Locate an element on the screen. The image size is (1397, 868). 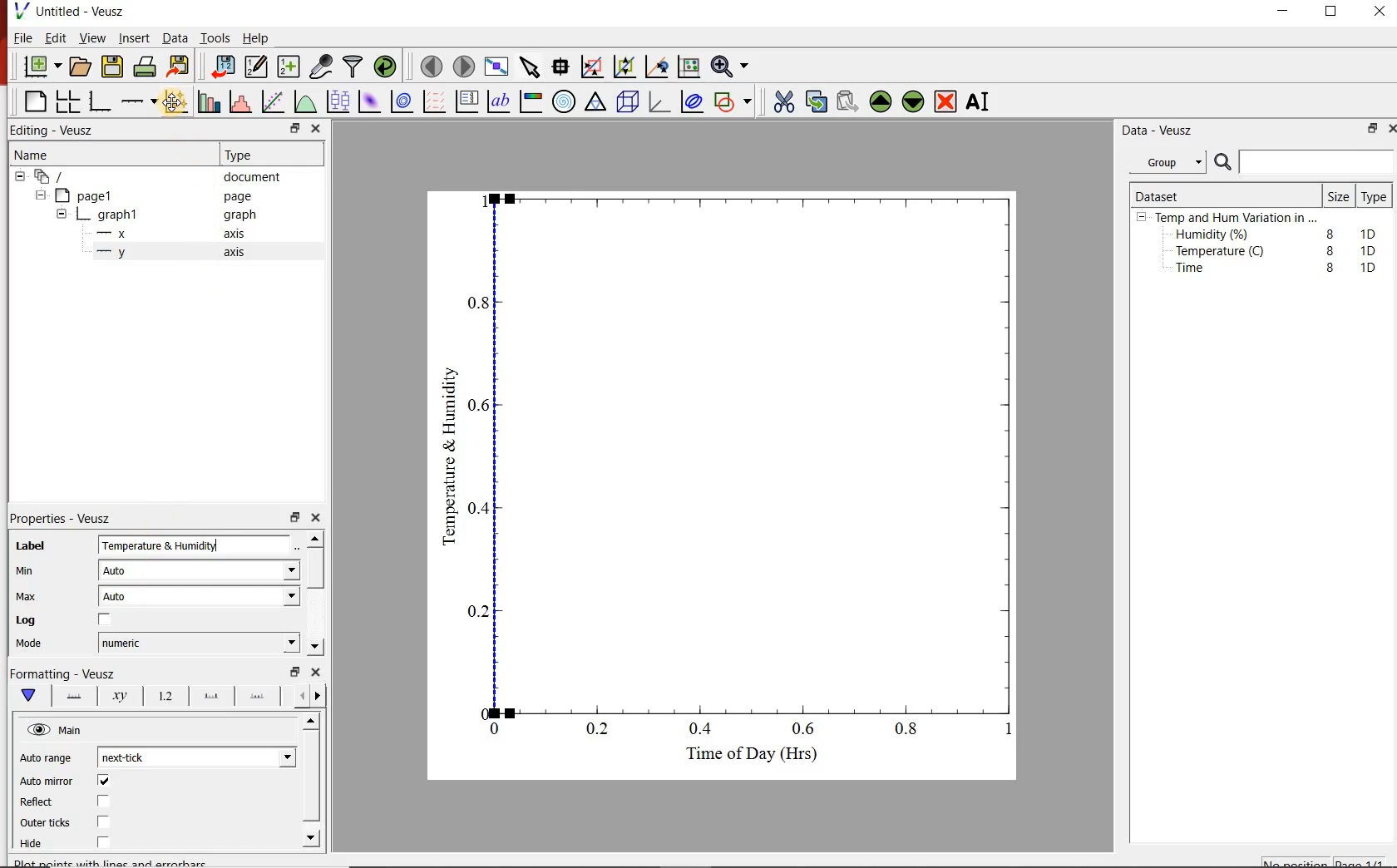
Editing - Veusz is located at coordinates (57, 130).